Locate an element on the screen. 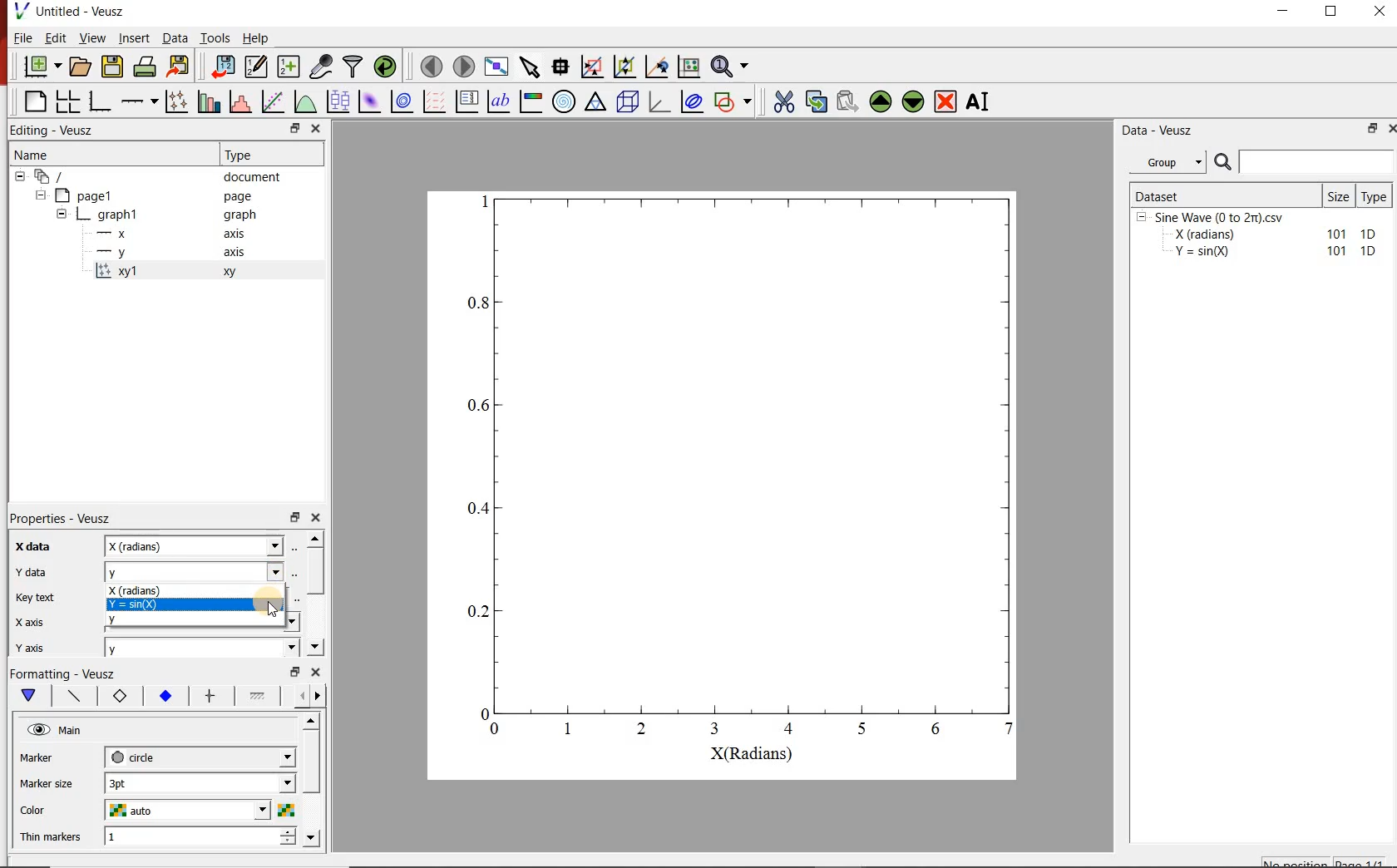  1 is located at coordinates (200, 837).